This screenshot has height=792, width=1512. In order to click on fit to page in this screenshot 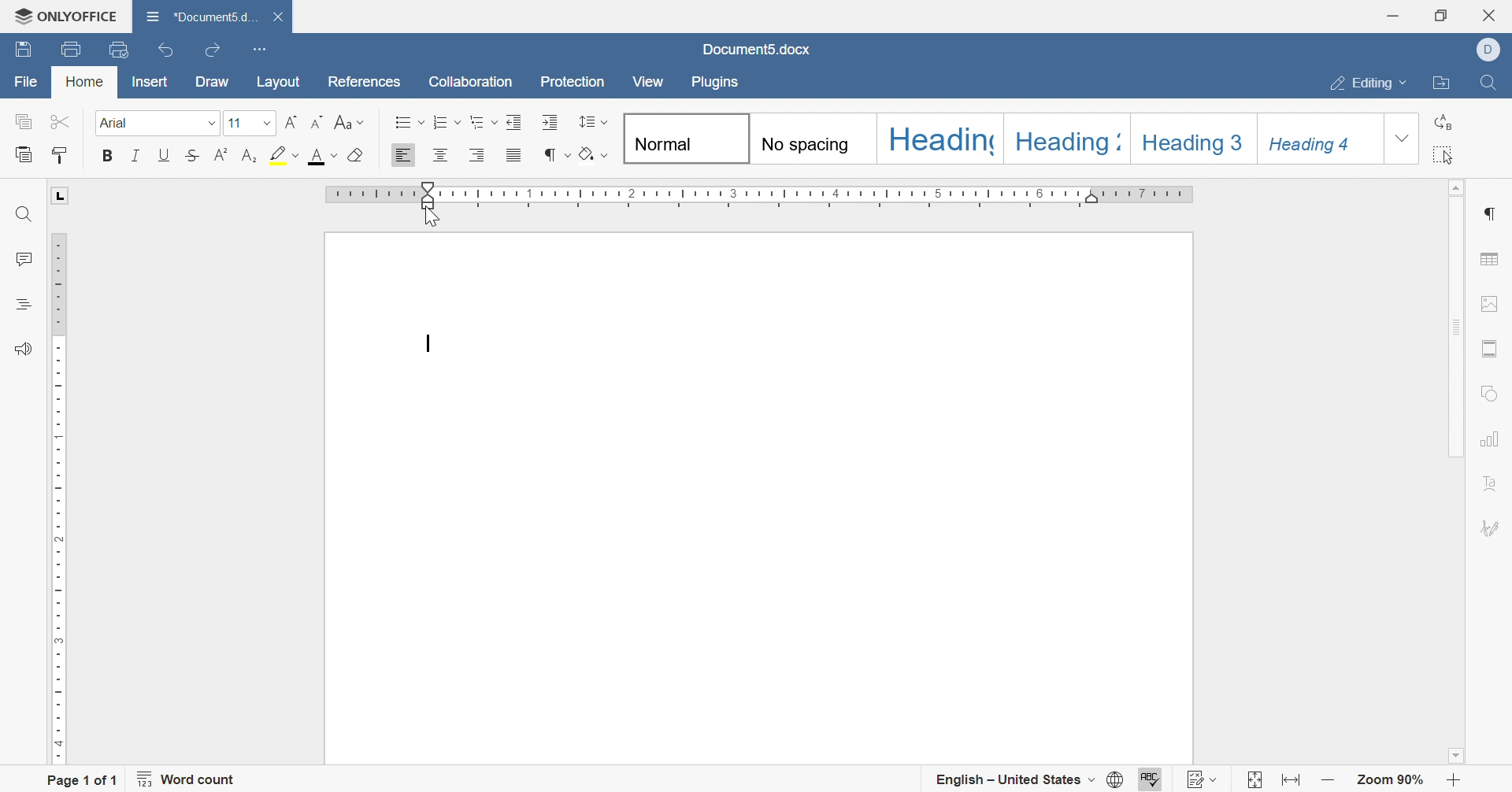, I will do `click(1251, 781)`.